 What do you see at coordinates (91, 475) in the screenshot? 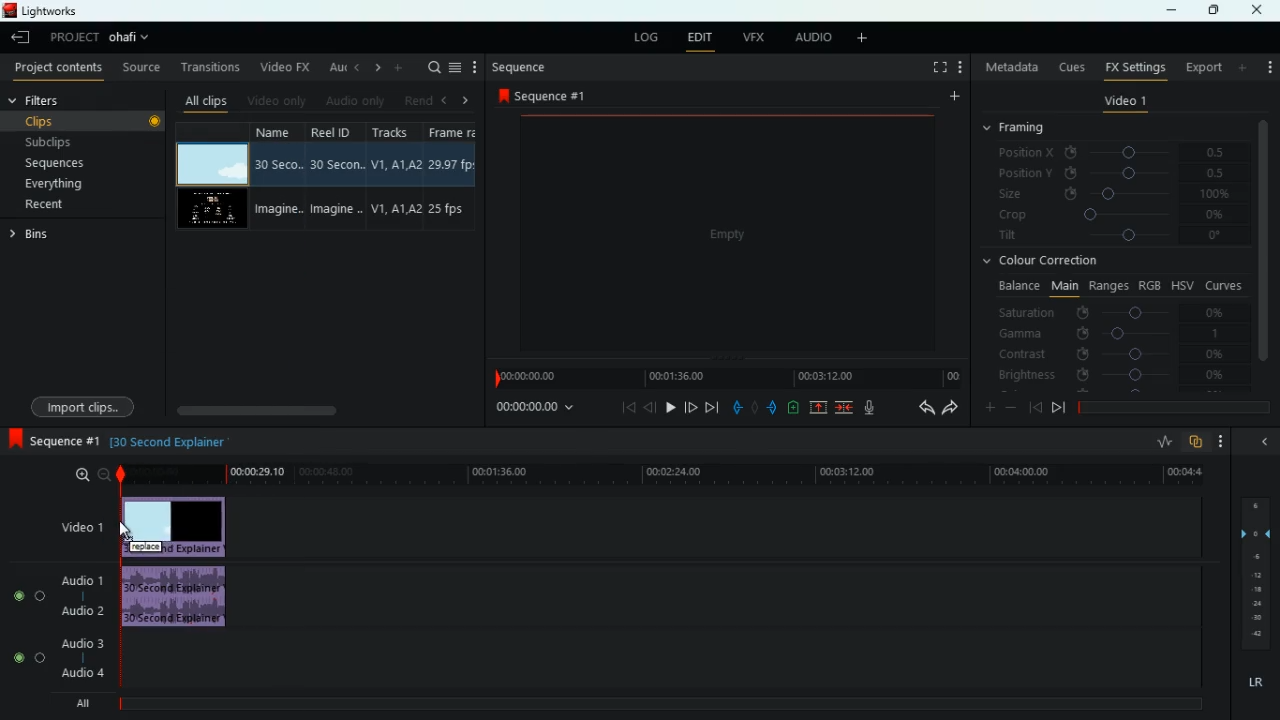
I see `zoom` at bounding box center [91, 475].